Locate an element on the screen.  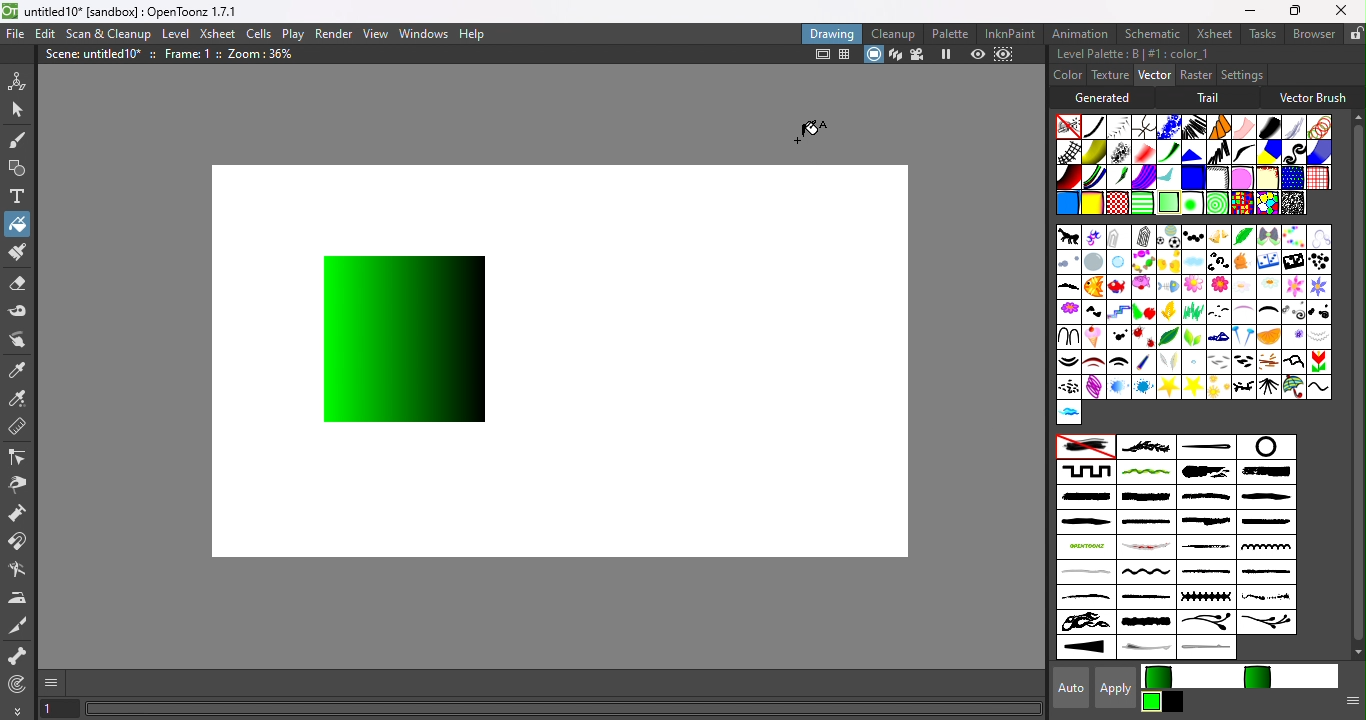
domino is located at coordinates (1268, 264).